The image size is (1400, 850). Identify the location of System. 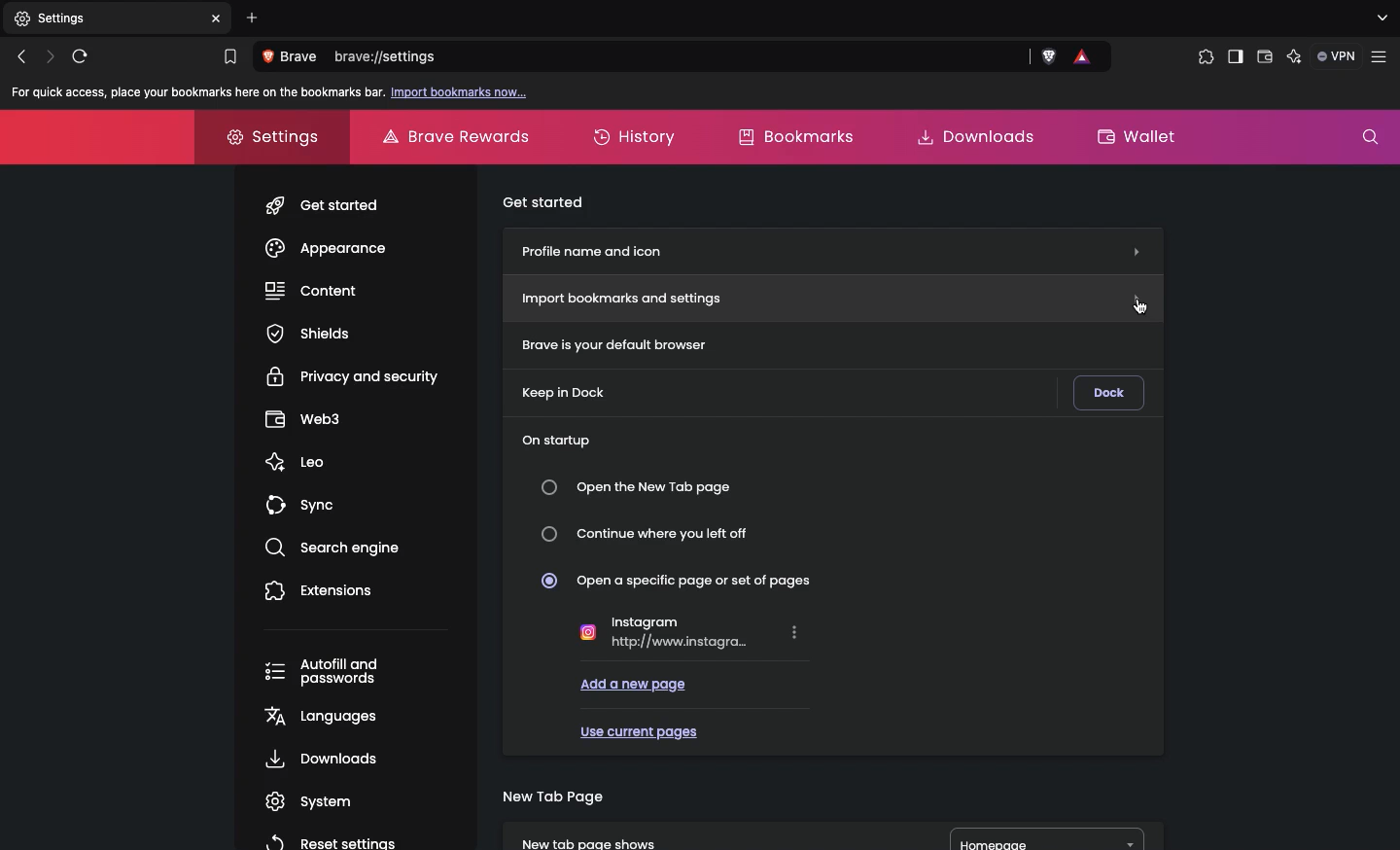
(303, 801).